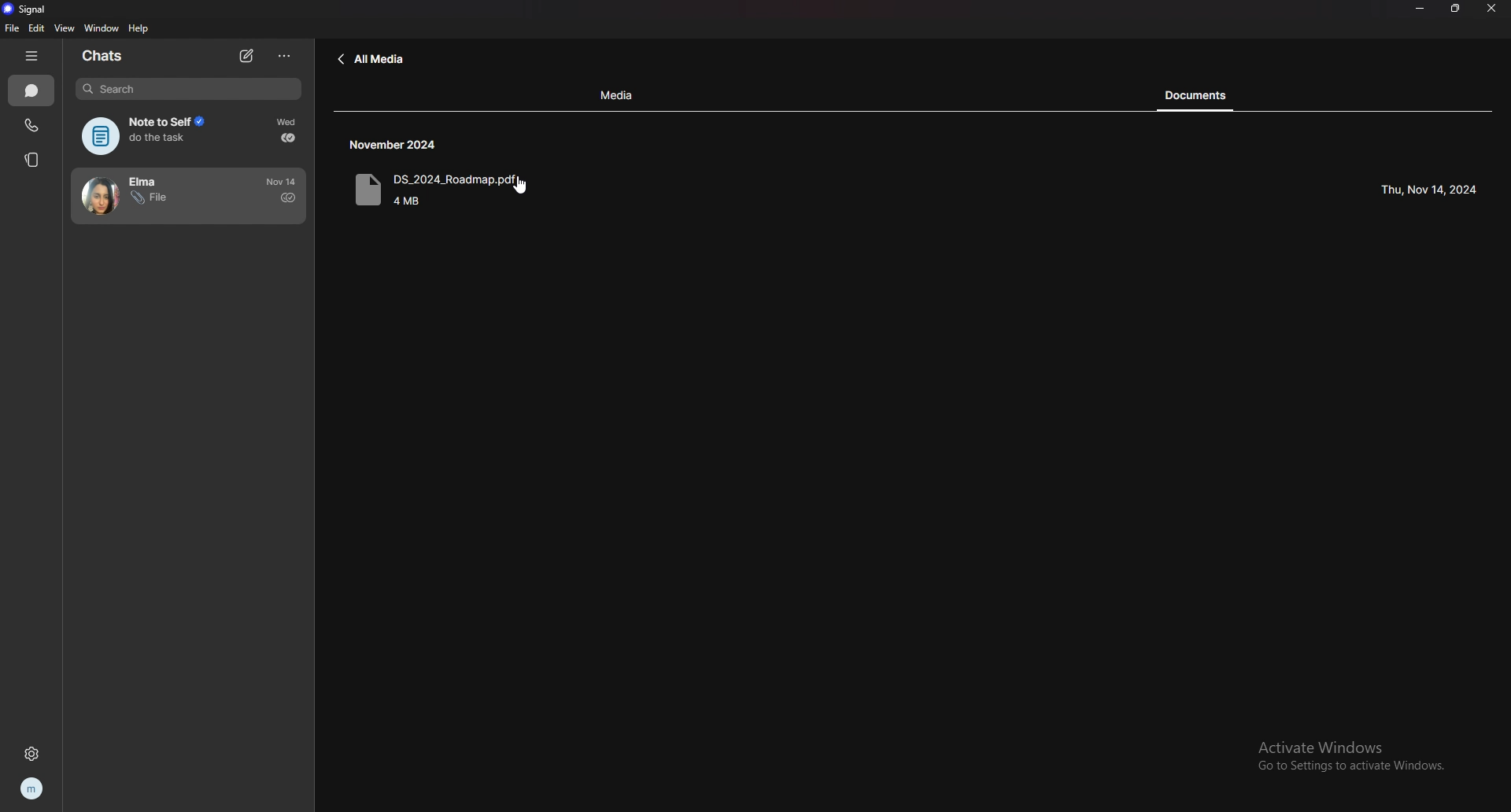 The image size is (1511, 812). I want to click on minimize, so click(1422, 8).